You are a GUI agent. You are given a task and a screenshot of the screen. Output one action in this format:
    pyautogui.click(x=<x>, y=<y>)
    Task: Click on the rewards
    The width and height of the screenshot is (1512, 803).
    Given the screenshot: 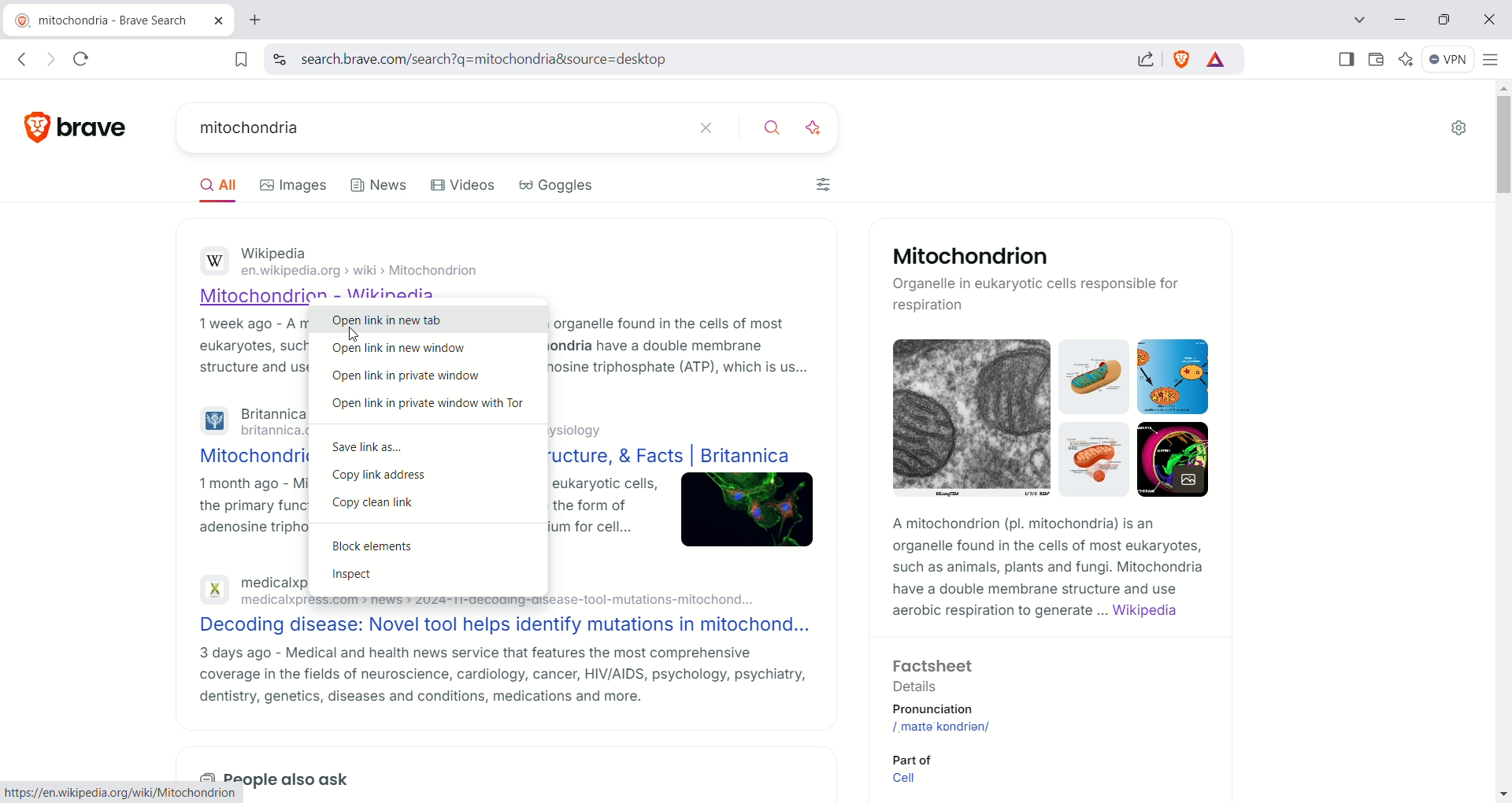 What is the action you would take?
    pyautogui.click(x=1219, y=58)
    